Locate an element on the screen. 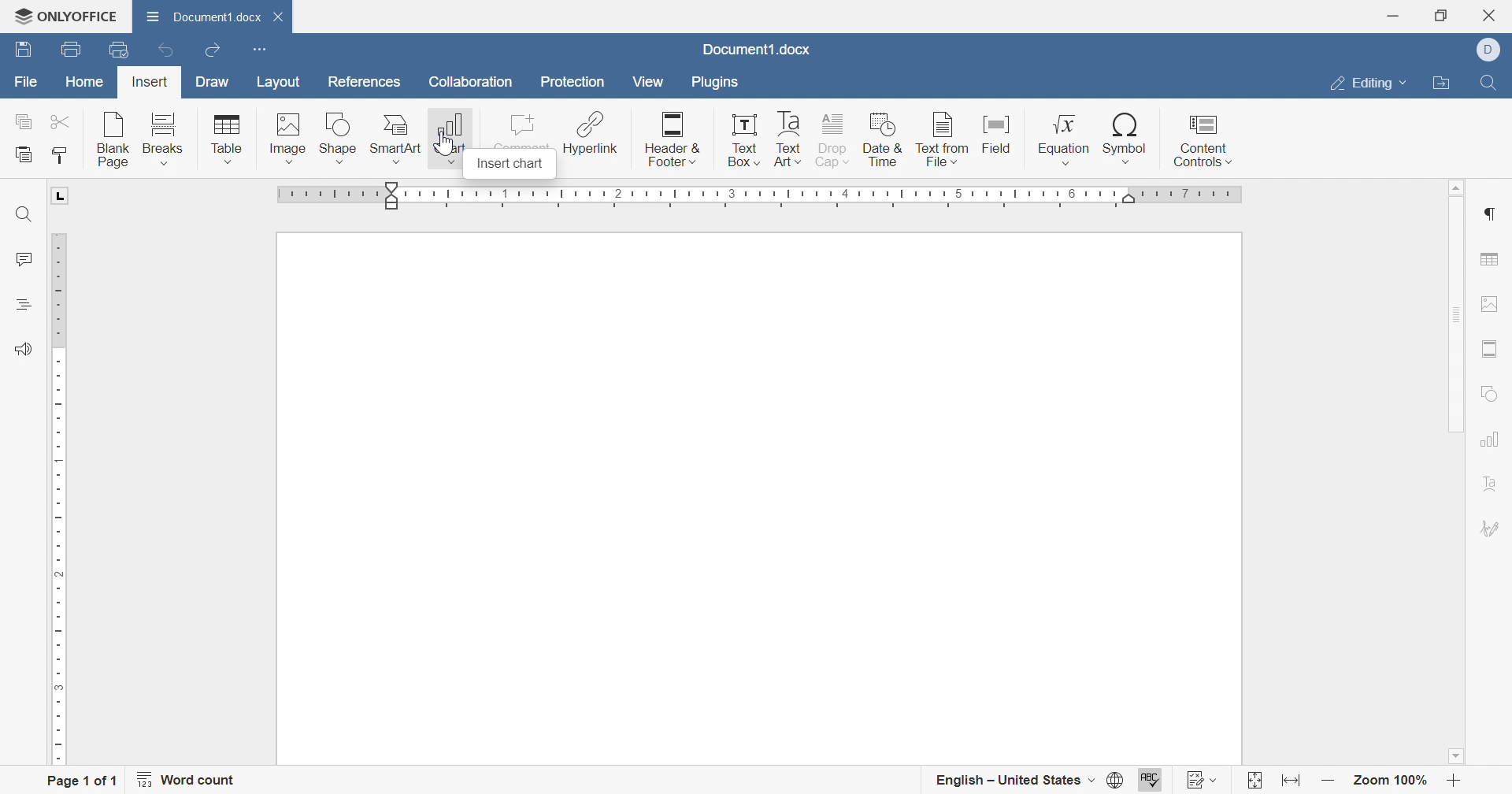 This screenshot has height=794, width=1512. Redo is located at coordinates (213, 52).